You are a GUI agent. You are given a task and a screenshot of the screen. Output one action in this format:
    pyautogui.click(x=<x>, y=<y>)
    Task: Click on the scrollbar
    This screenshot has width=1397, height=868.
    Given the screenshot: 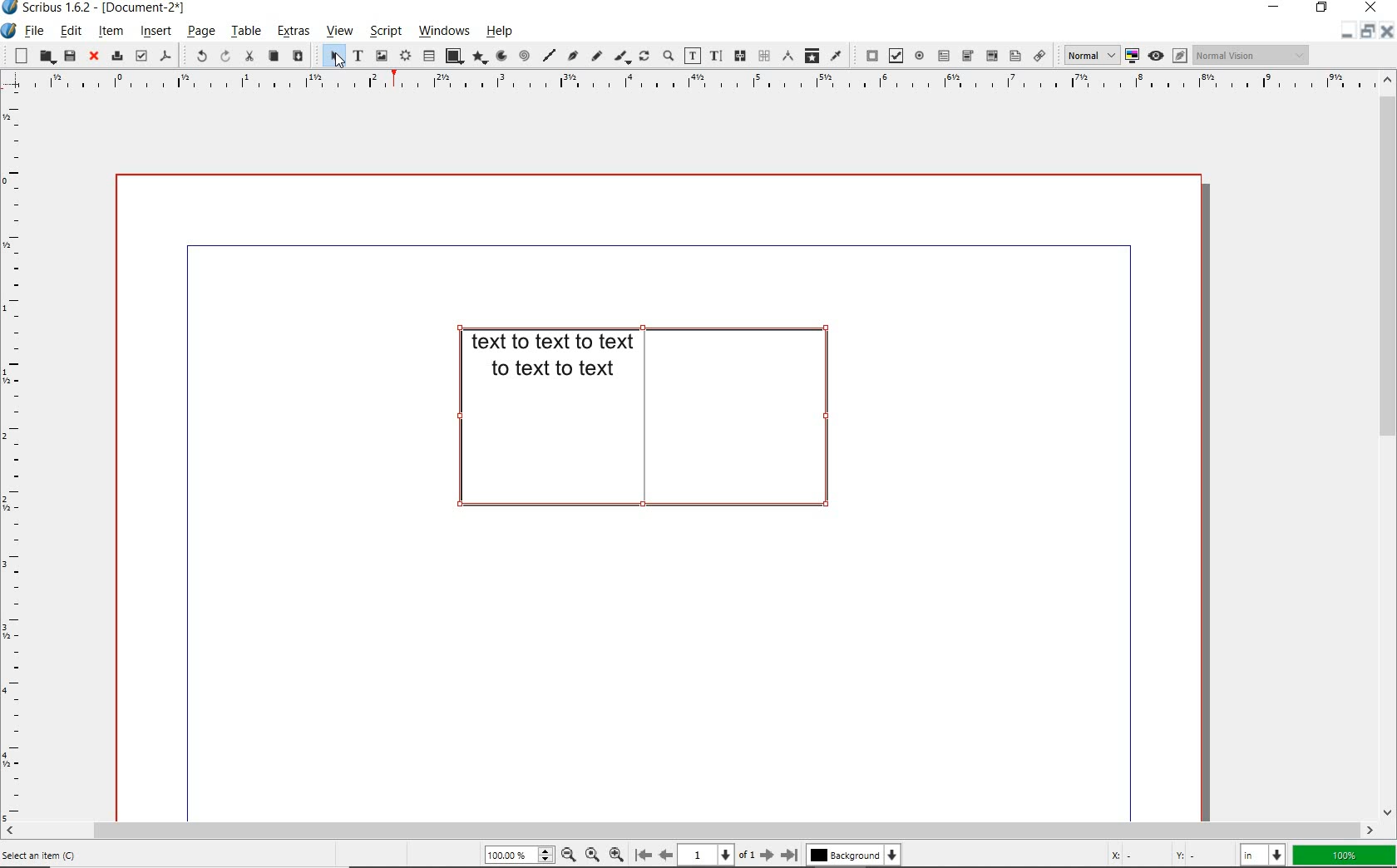 What is the action you would take?
    pyautogui.click(x=689, y=831)
    